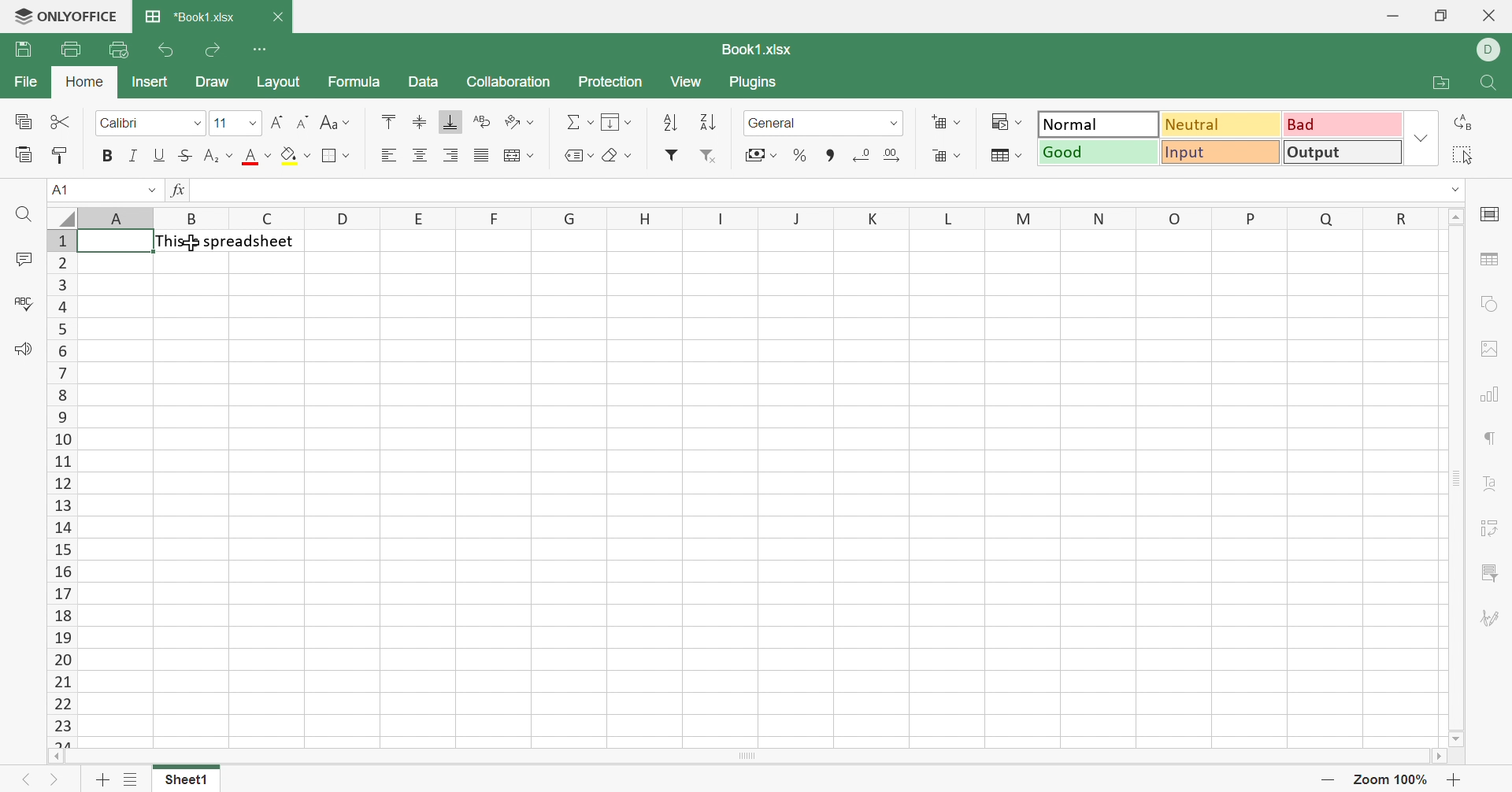 The image size is (1512, 792). What do you see at coordinates (424, 82) in the screenshot?
I see `Data` at bounding box center [424, 82].